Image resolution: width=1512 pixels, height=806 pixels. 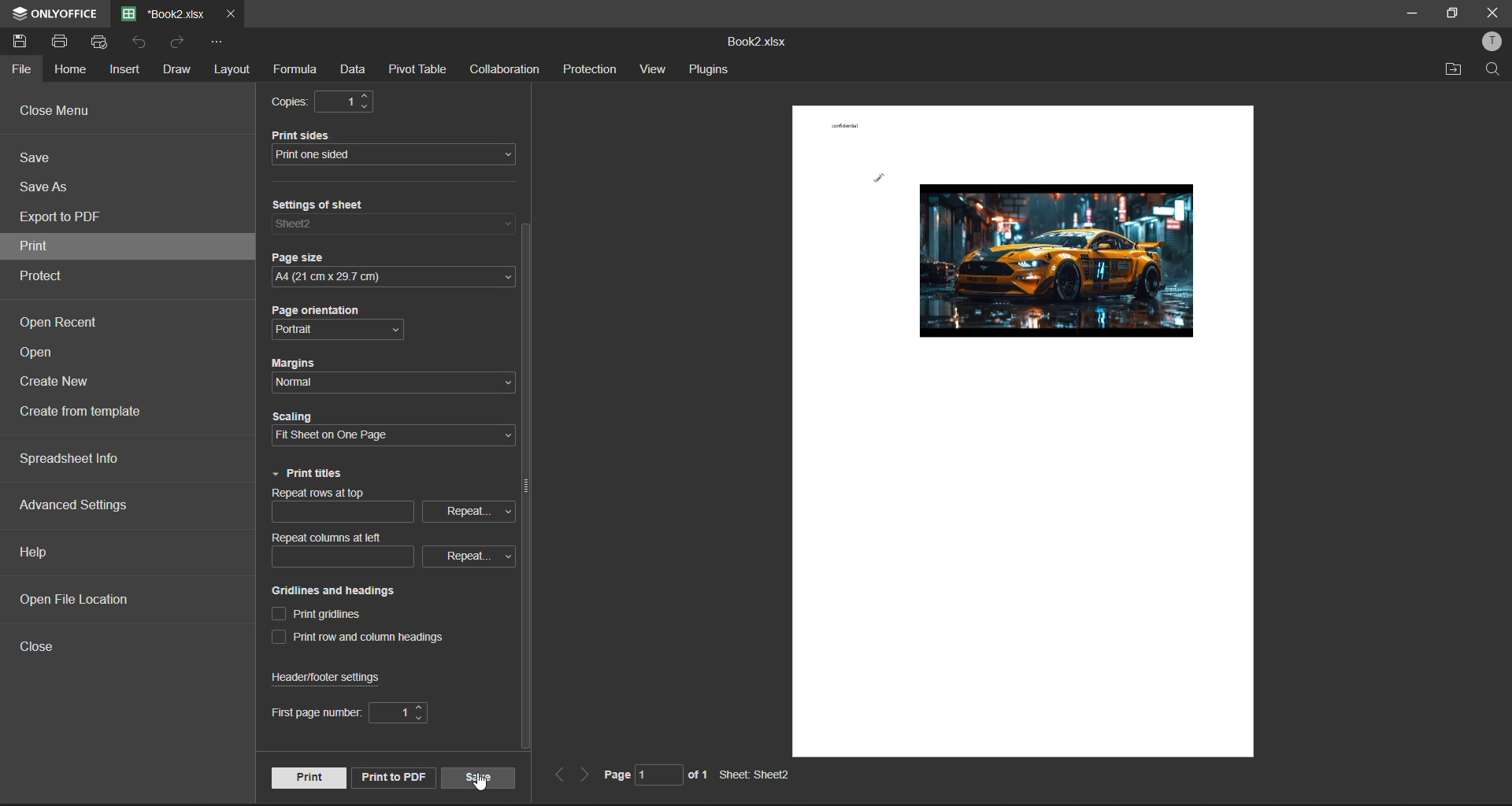 I want to click on print side, so click(x=397, y=147).